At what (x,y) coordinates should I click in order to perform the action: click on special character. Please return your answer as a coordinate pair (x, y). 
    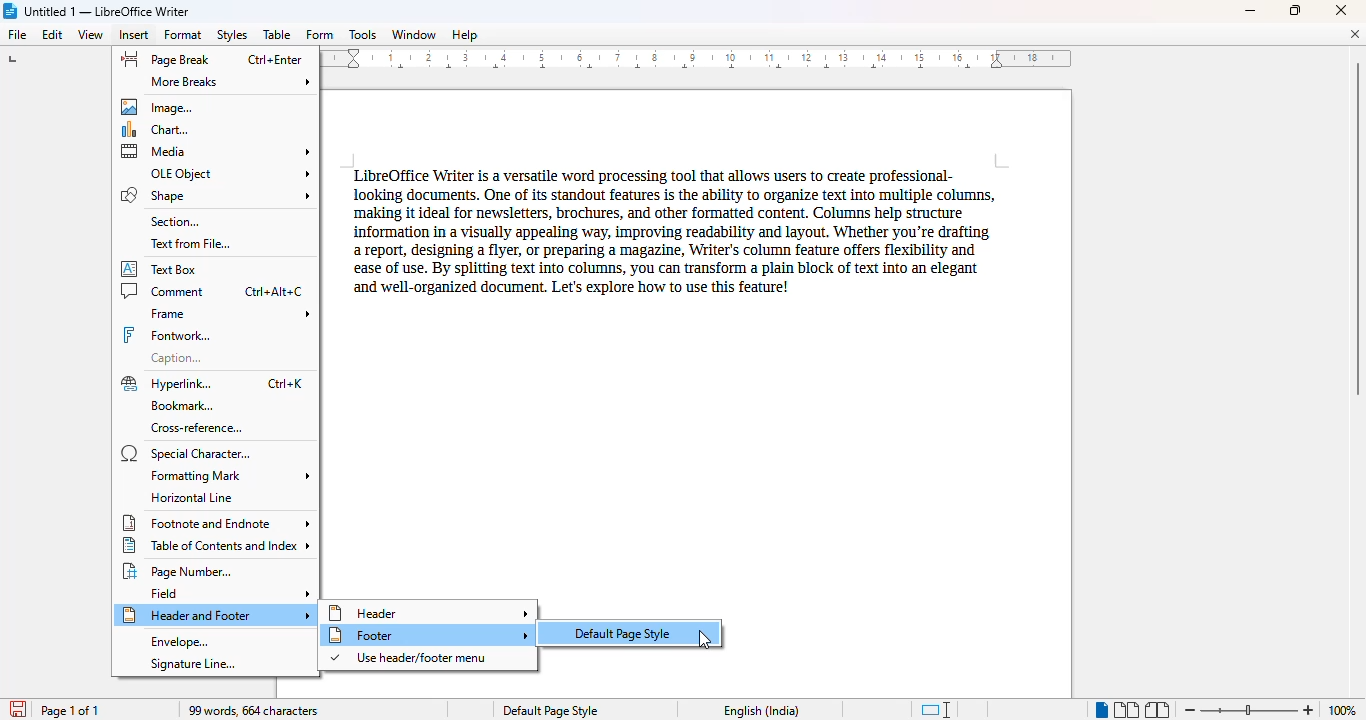
    Looking at the image, I should click on (185, 453).